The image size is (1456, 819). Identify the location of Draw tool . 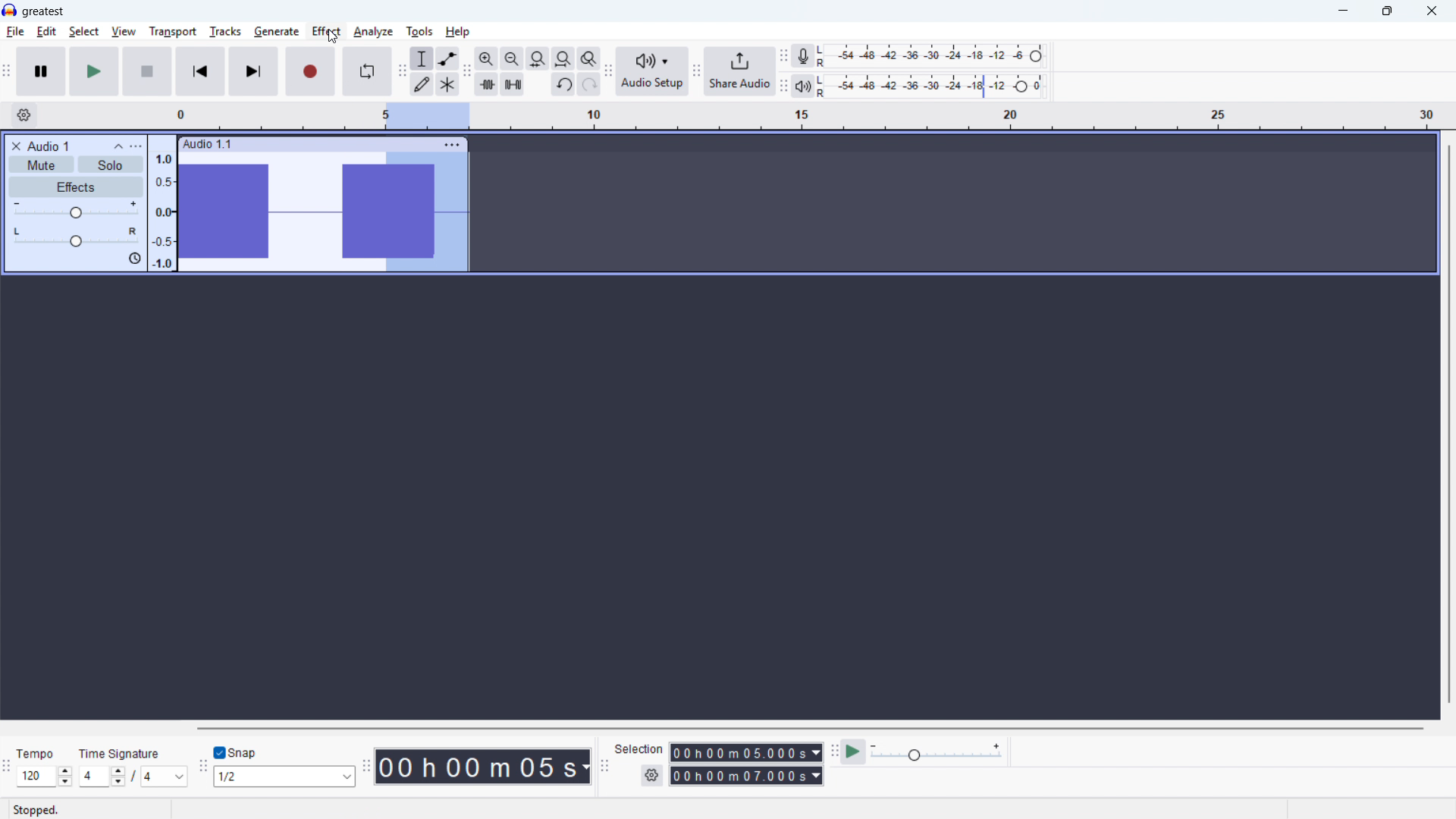
(422, 84).